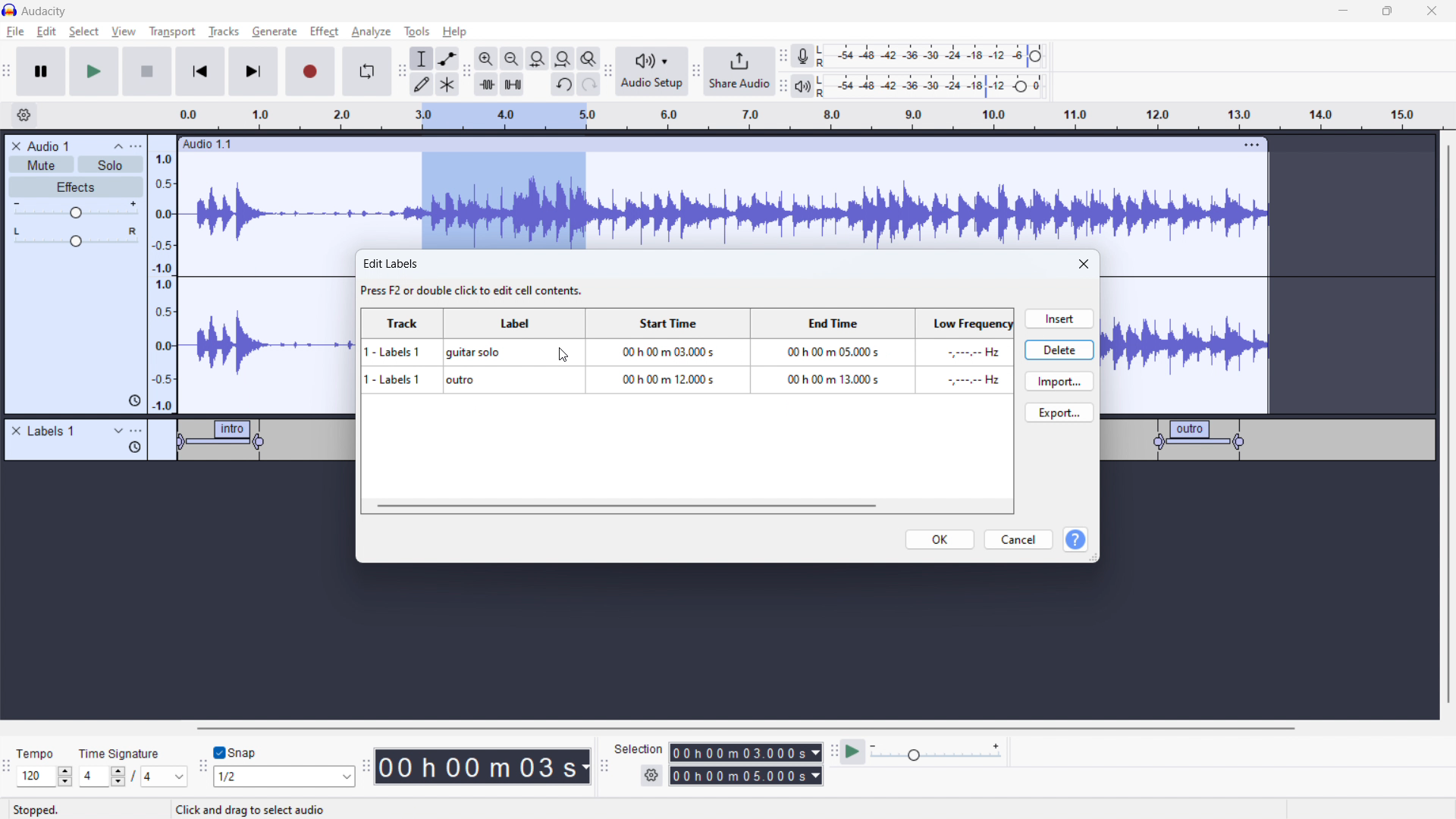 Image resolution: width=1456 pixels, height=819 pixels. What do you see at coordinates (602, 767) in the screenshot?
I see `selection toolbar` at bounding box center [602, 767].